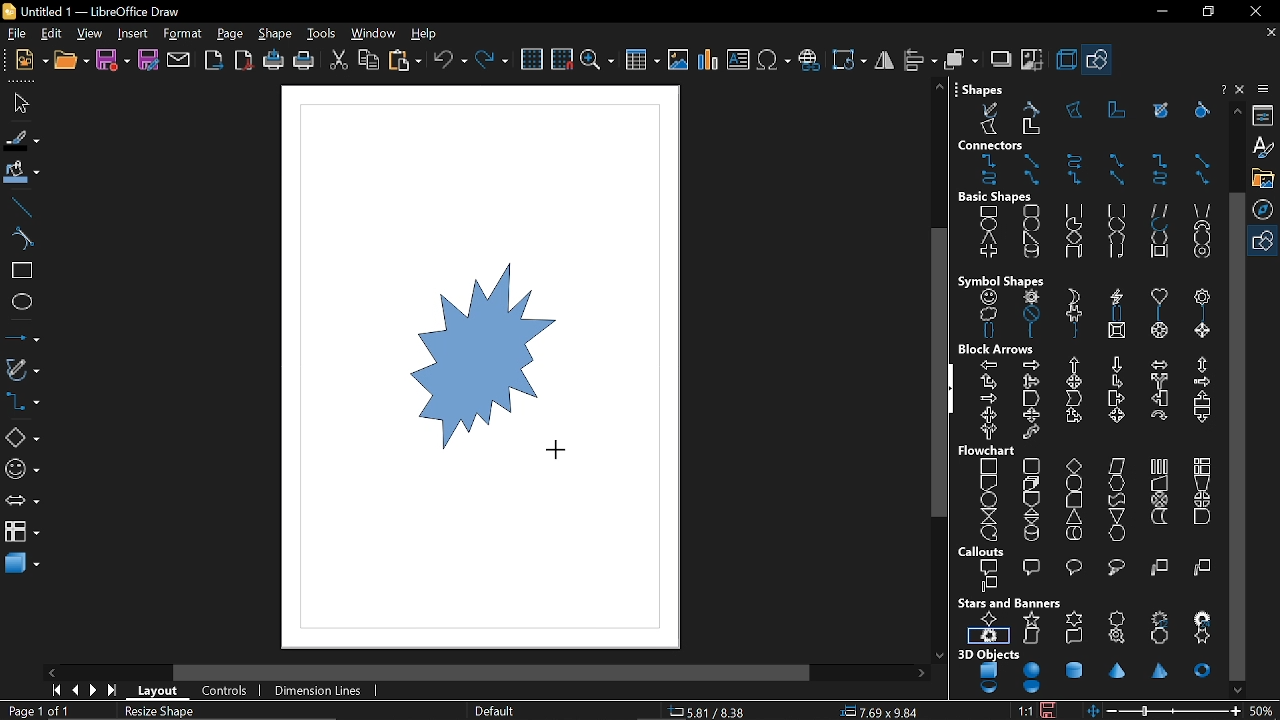  Describe the element at coordinates (148, 60) in the screenshot. I see `save as` at that location.